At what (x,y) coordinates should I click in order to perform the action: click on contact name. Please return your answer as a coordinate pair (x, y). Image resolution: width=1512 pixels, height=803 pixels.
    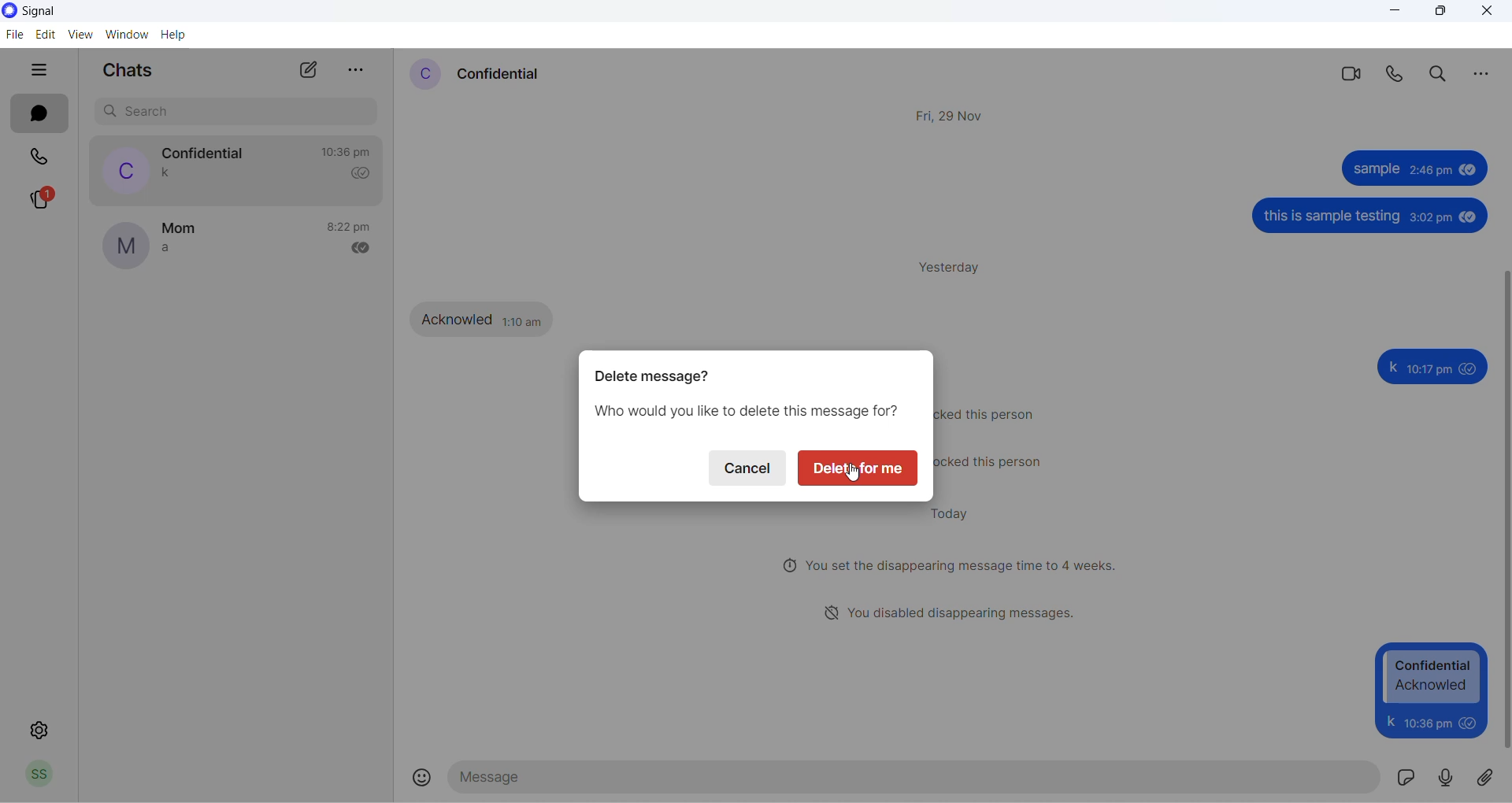
    Looking at the image, I should click on (187, 229).